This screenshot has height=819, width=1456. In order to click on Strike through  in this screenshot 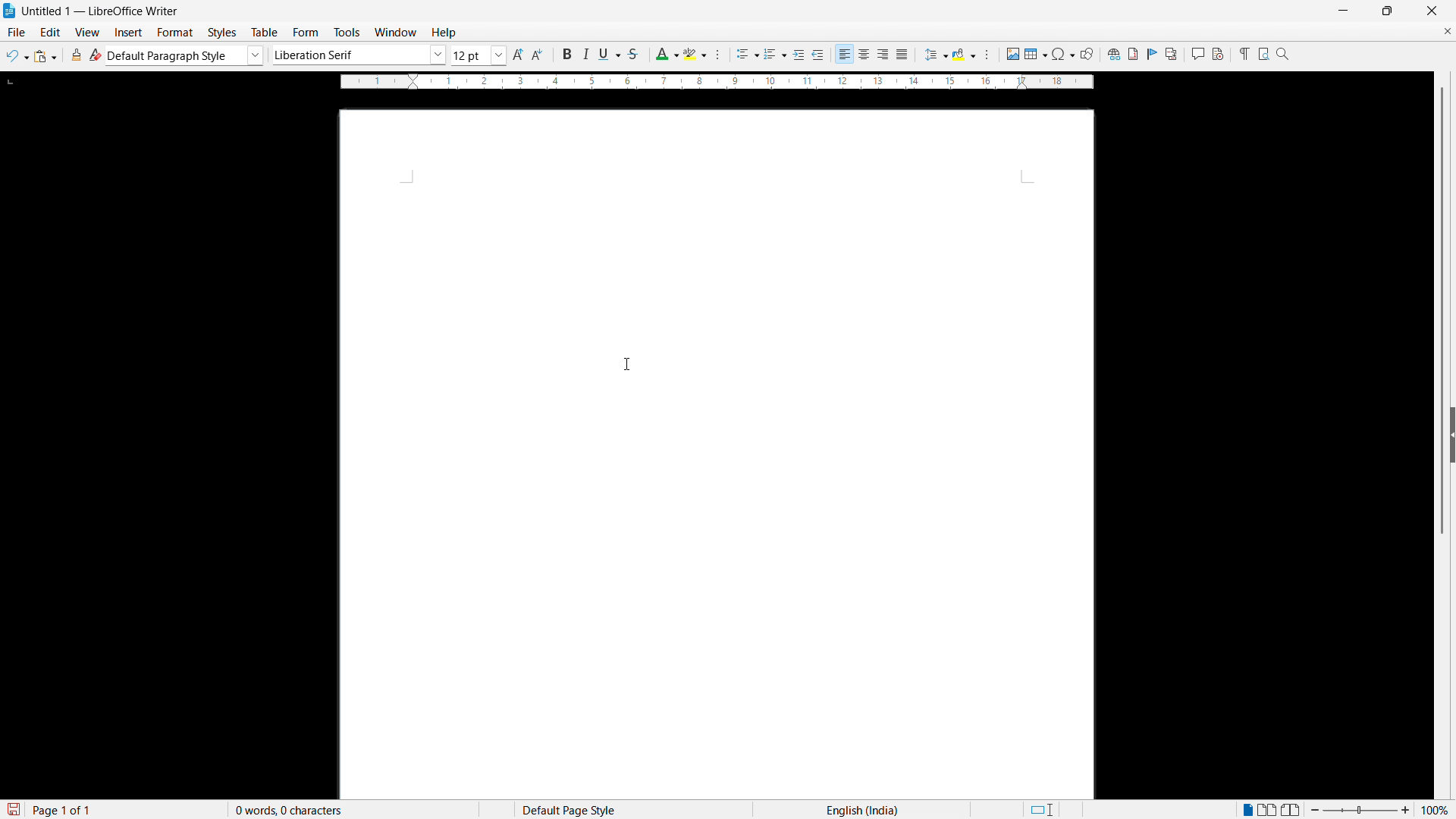, I will do `click(632, 54)`.